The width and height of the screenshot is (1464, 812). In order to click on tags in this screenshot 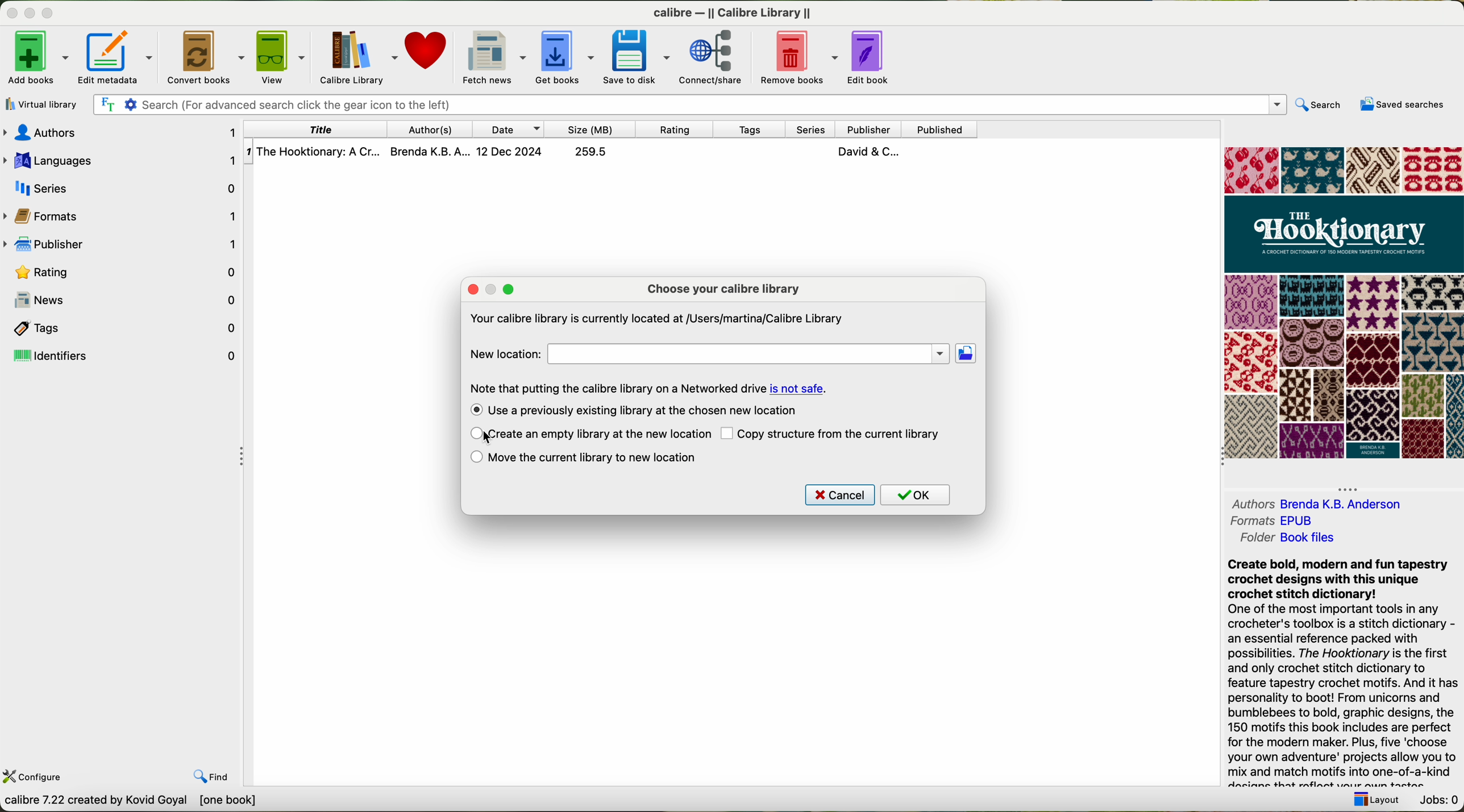, I will do `click(120, 329)`.